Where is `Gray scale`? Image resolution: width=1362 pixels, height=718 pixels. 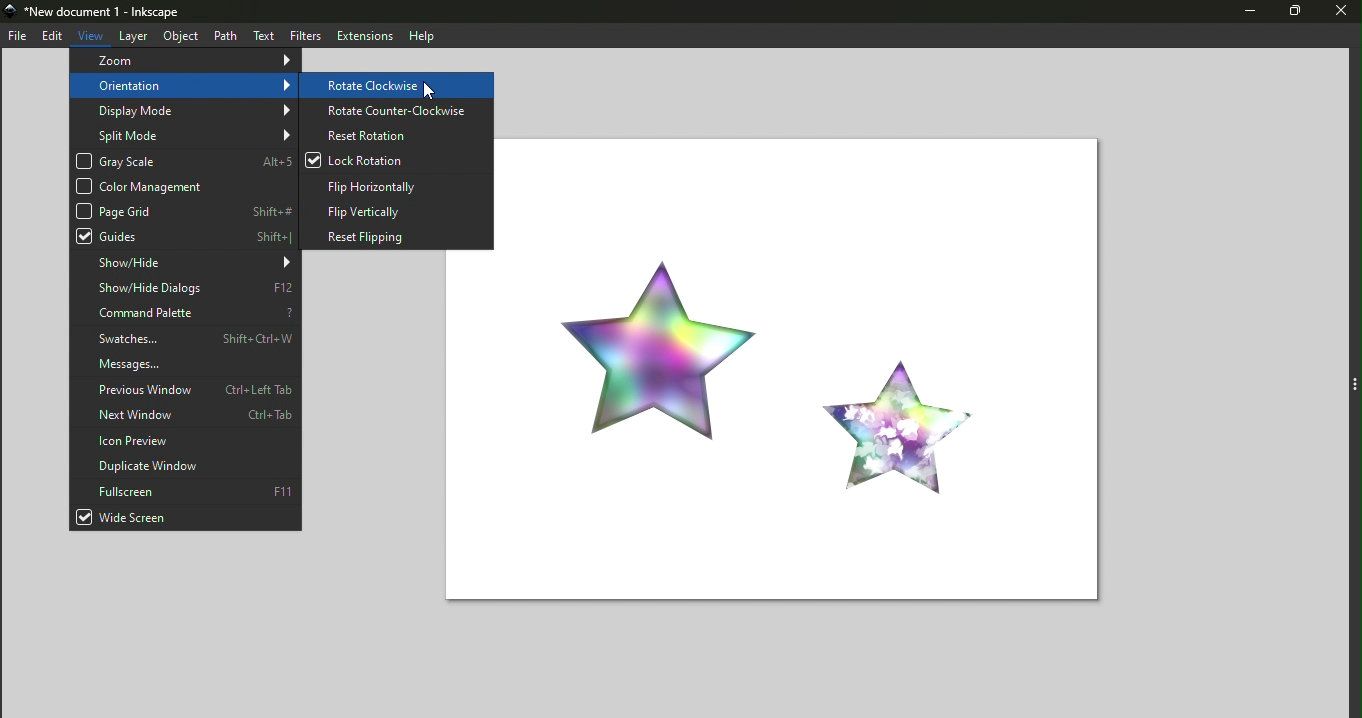
Gray scale is located at coordinates (184, 162).